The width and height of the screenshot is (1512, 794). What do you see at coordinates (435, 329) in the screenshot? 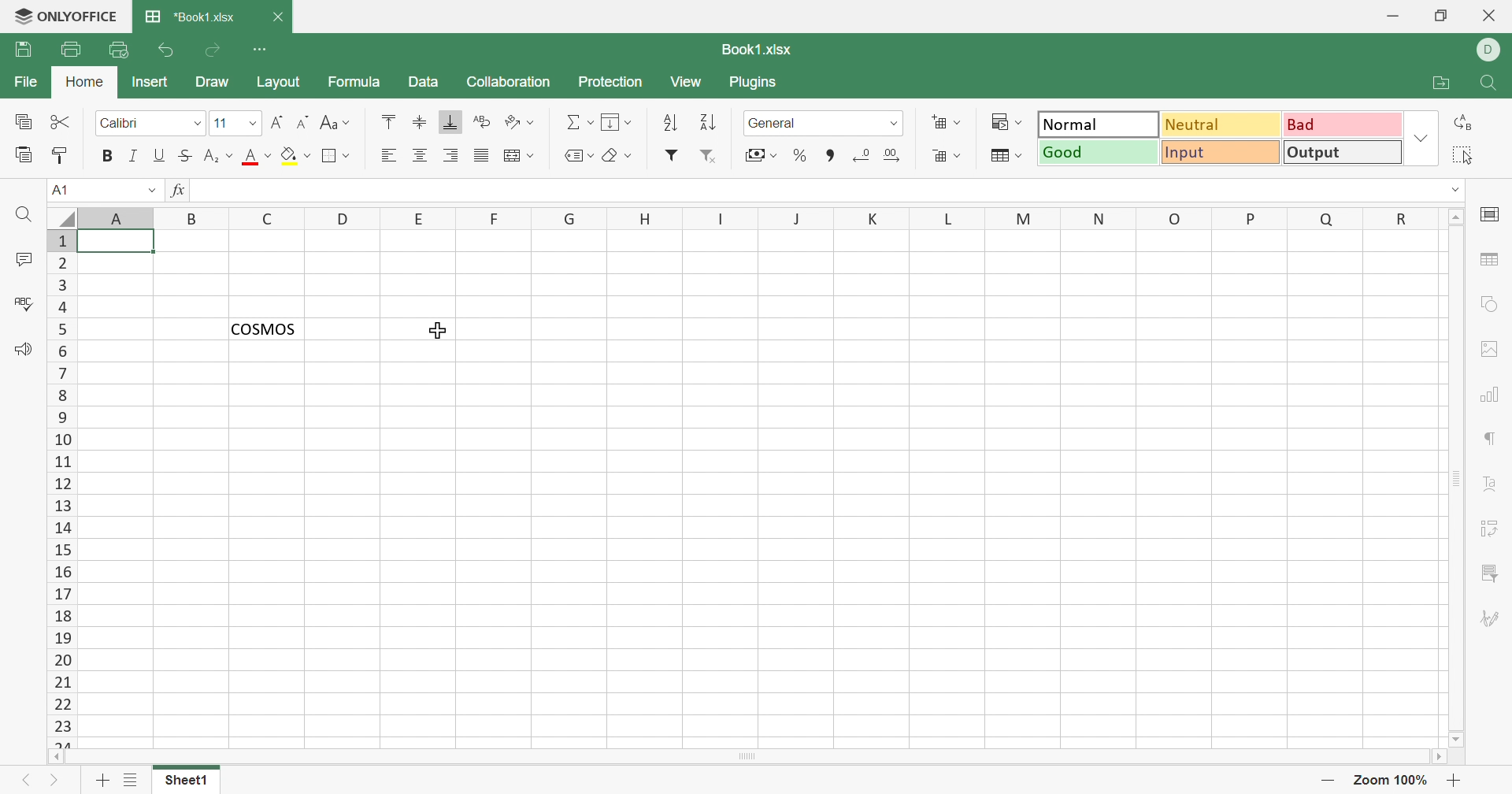
I see `Cursor` at bounding box center [435, 329].